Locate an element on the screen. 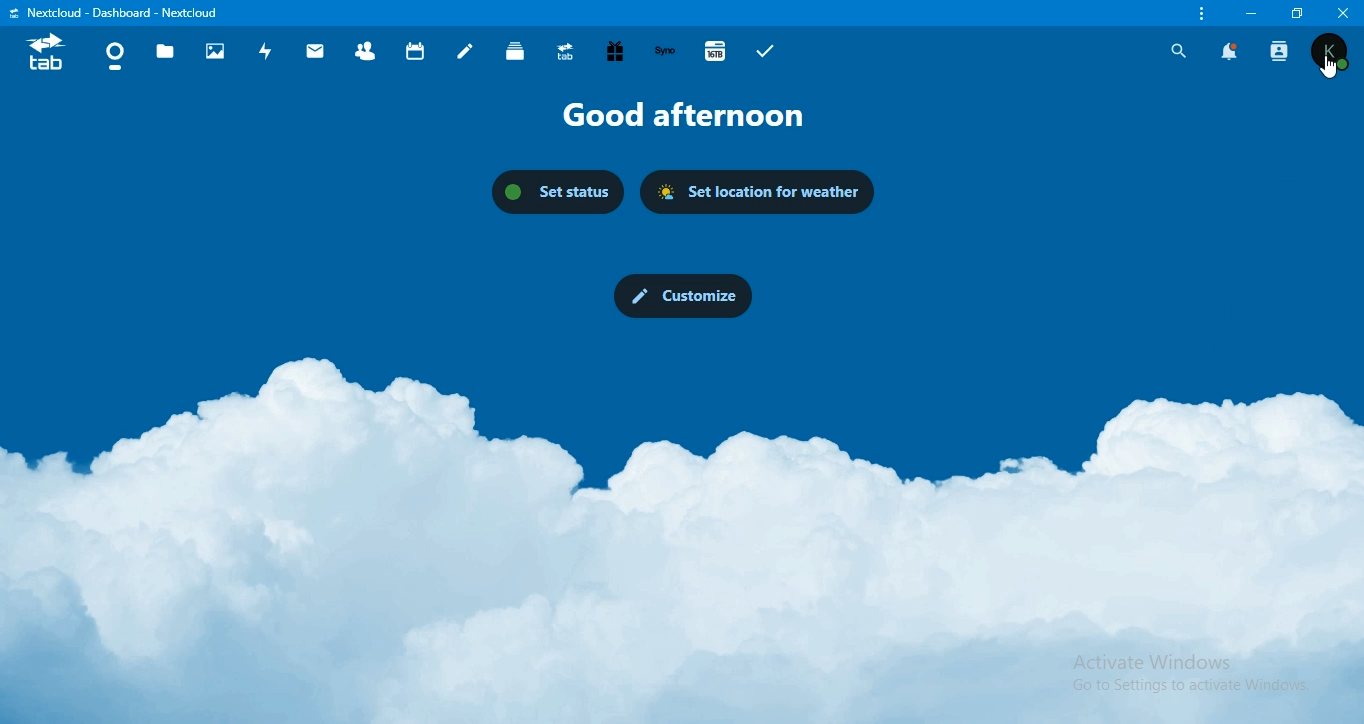  customize is located at coordinates (682, 296).